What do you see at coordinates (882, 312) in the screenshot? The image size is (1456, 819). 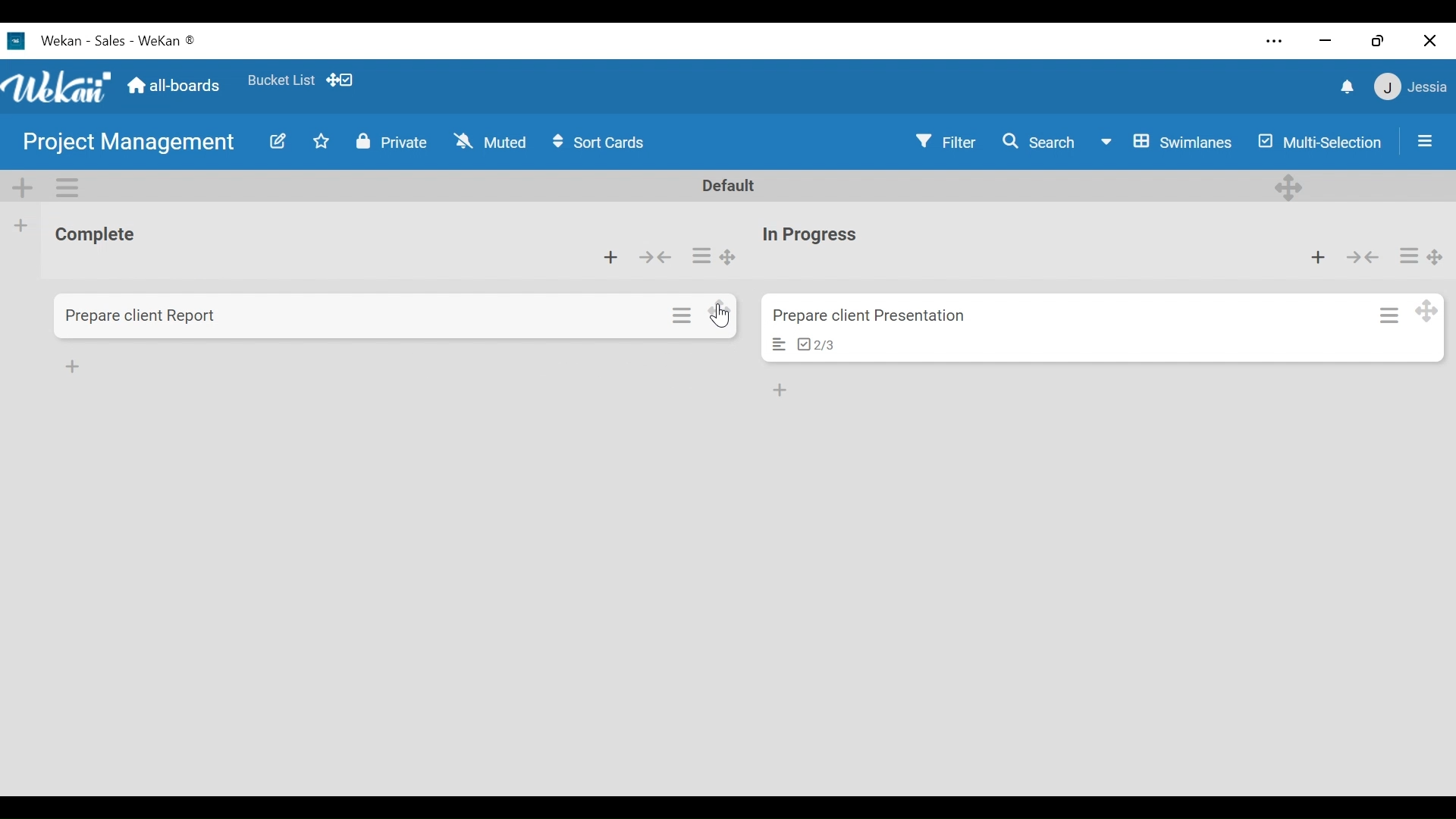 I see `prepare client presentations` at bounding box center [882, 312].